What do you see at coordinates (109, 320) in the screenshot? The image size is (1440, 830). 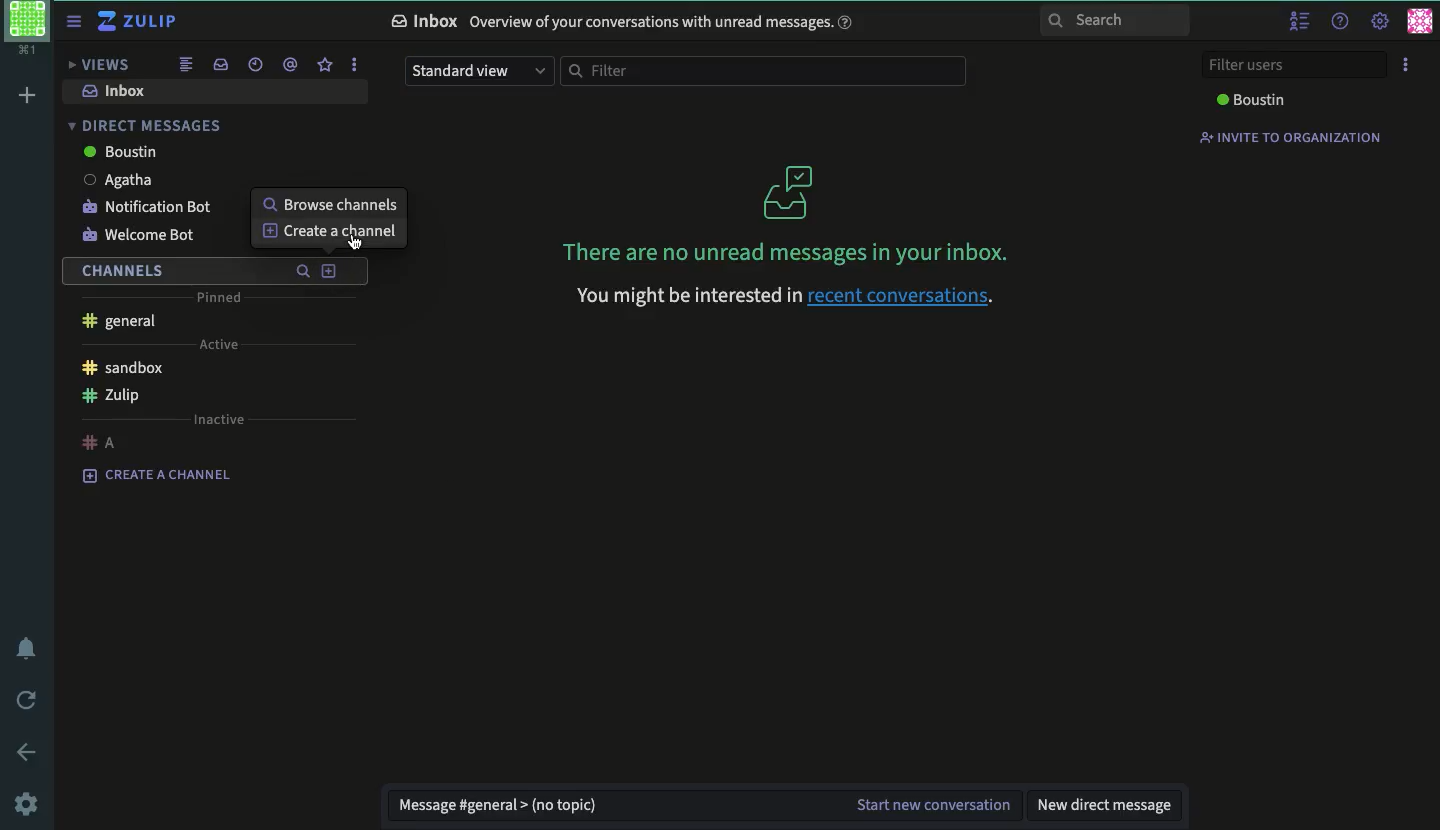 I see `general` at bounding box center [109, 320].